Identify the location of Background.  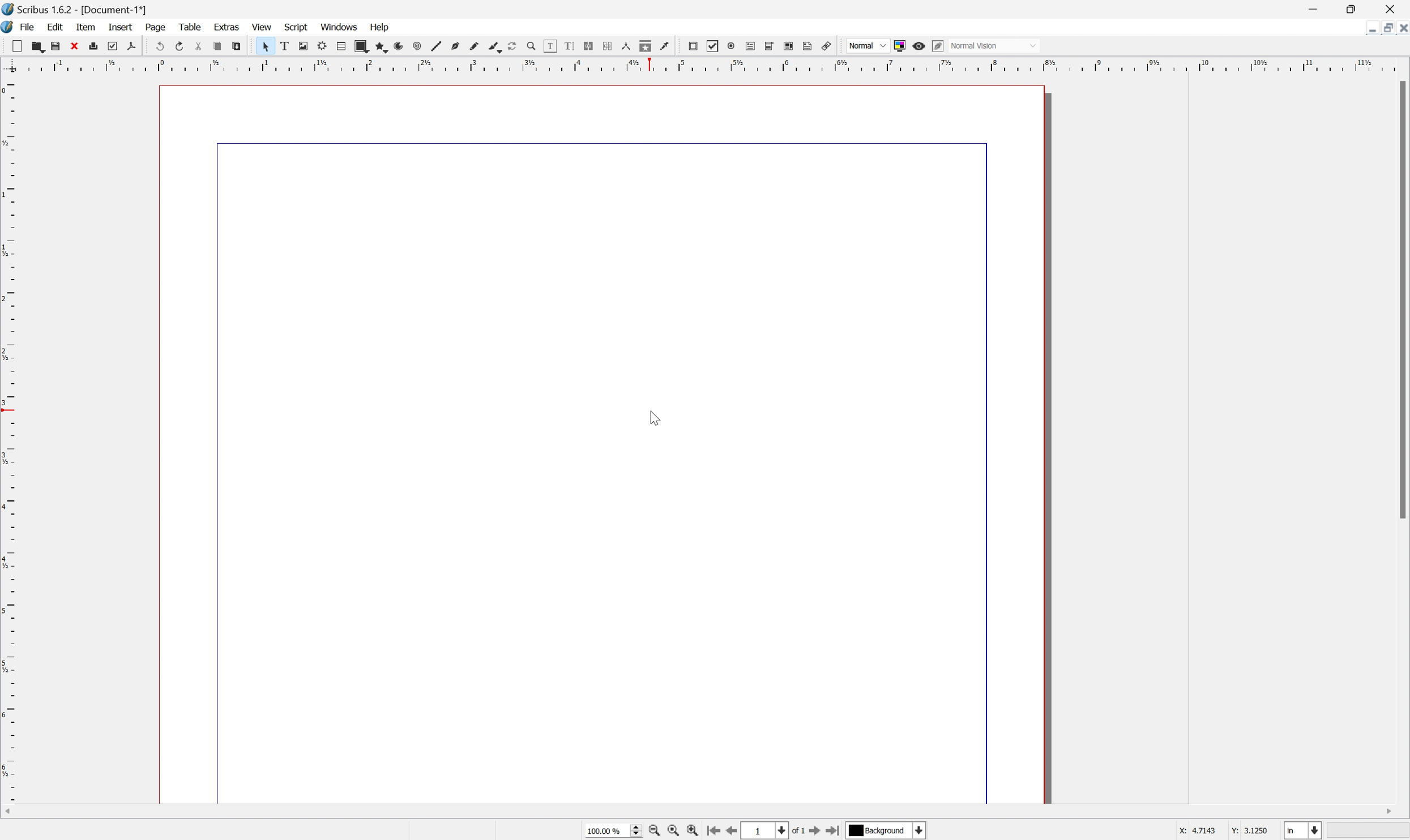
(887, 831).